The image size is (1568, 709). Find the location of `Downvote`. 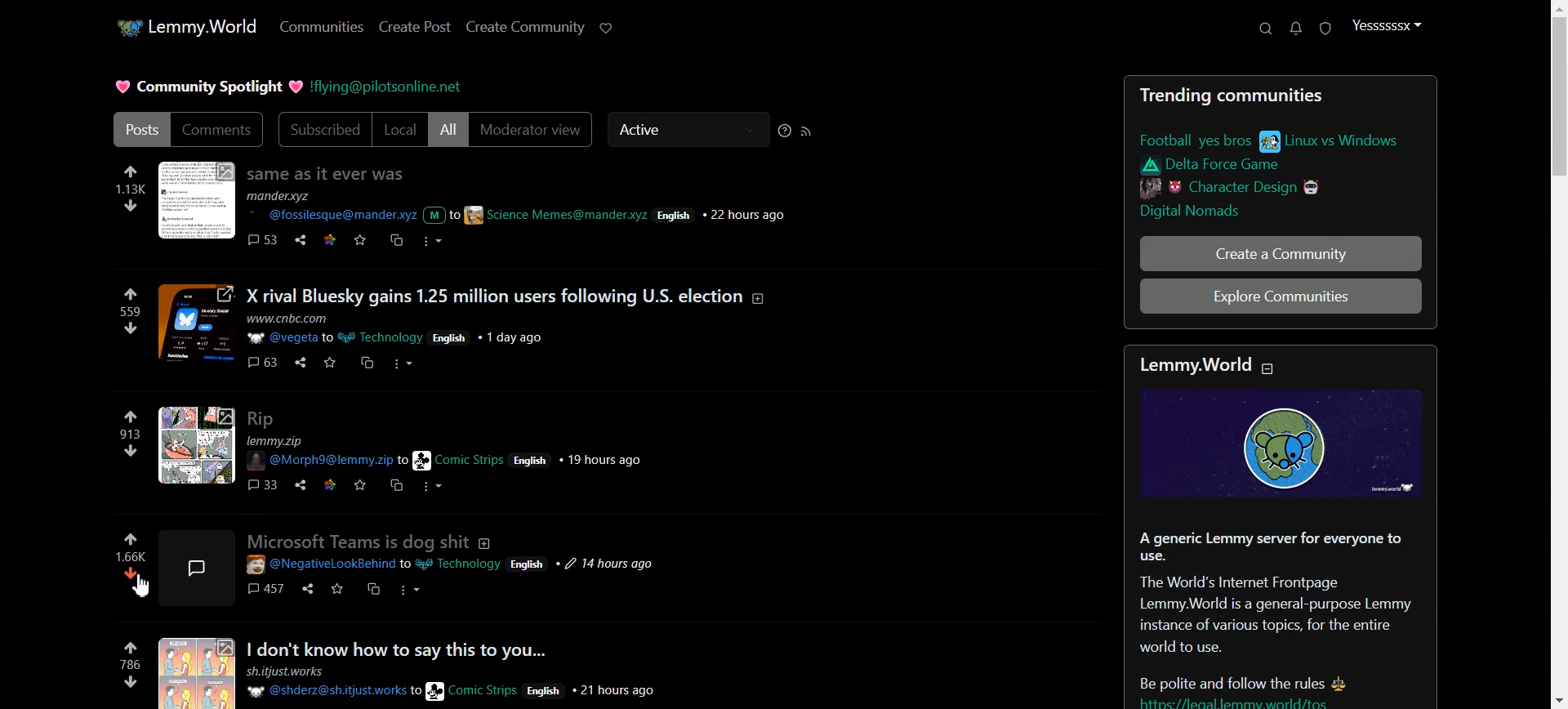

Downvote is located at coordinates (131, 572).